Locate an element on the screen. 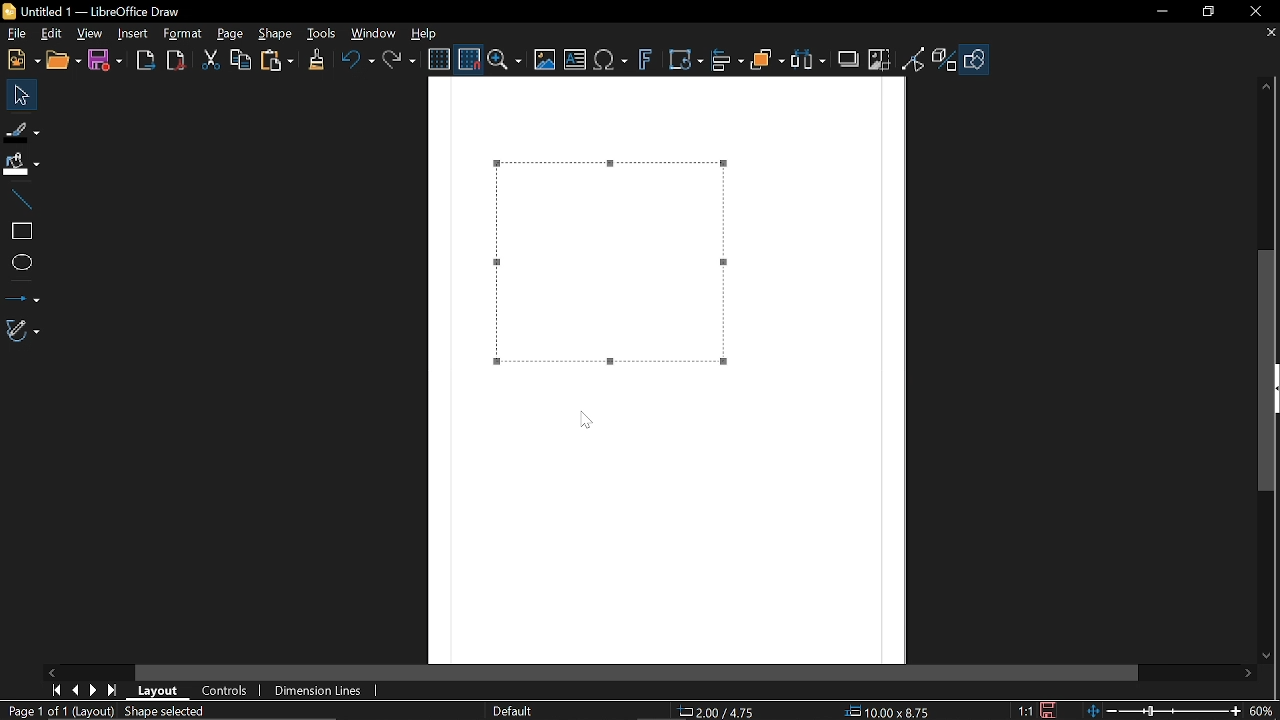 The image size is (1280, 720). Toggle point of view is located at coordinates (914, 60).